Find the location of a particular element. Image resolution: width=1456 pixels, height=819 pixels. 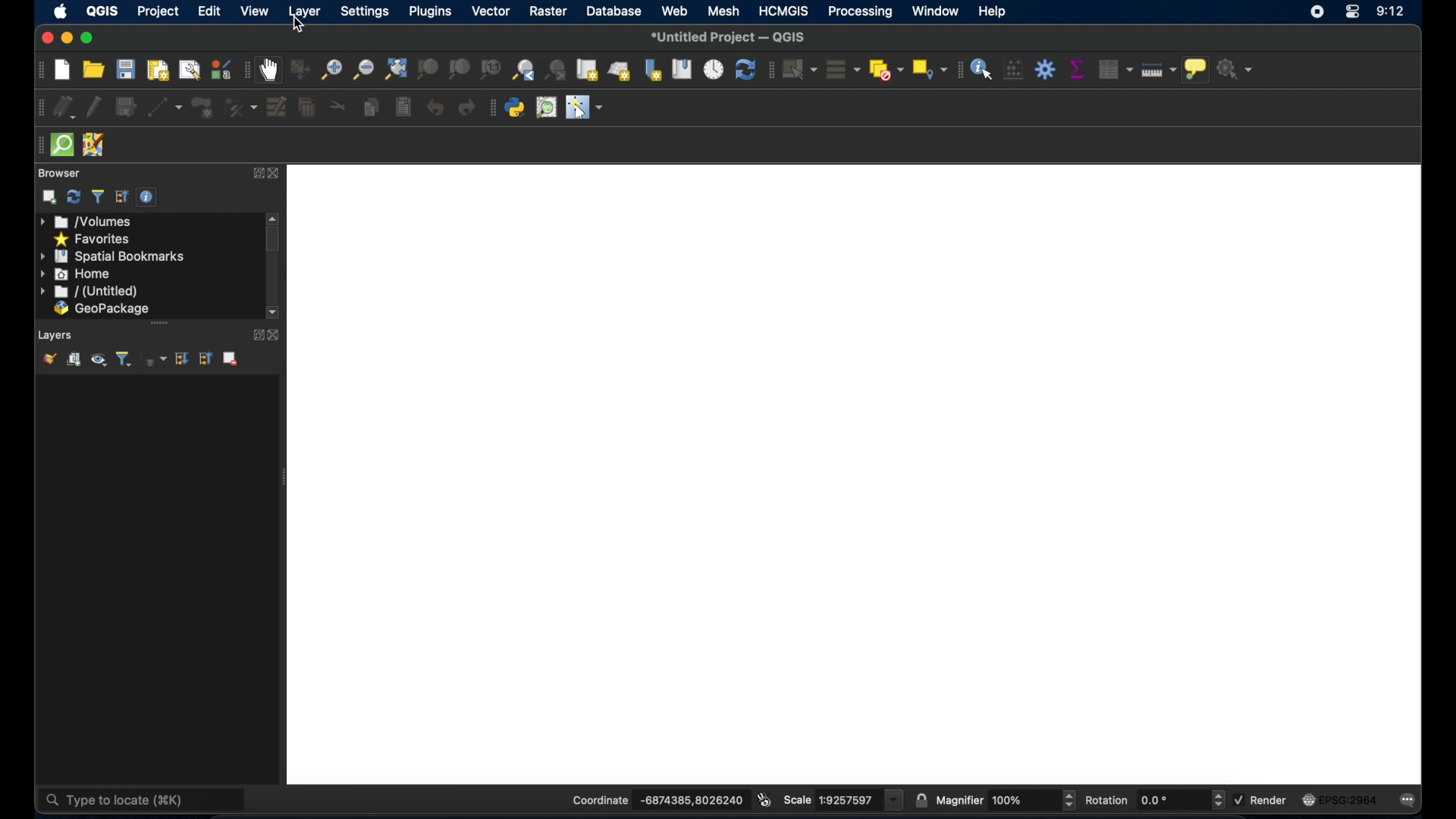

plugins is located at coordinates (430, 11).